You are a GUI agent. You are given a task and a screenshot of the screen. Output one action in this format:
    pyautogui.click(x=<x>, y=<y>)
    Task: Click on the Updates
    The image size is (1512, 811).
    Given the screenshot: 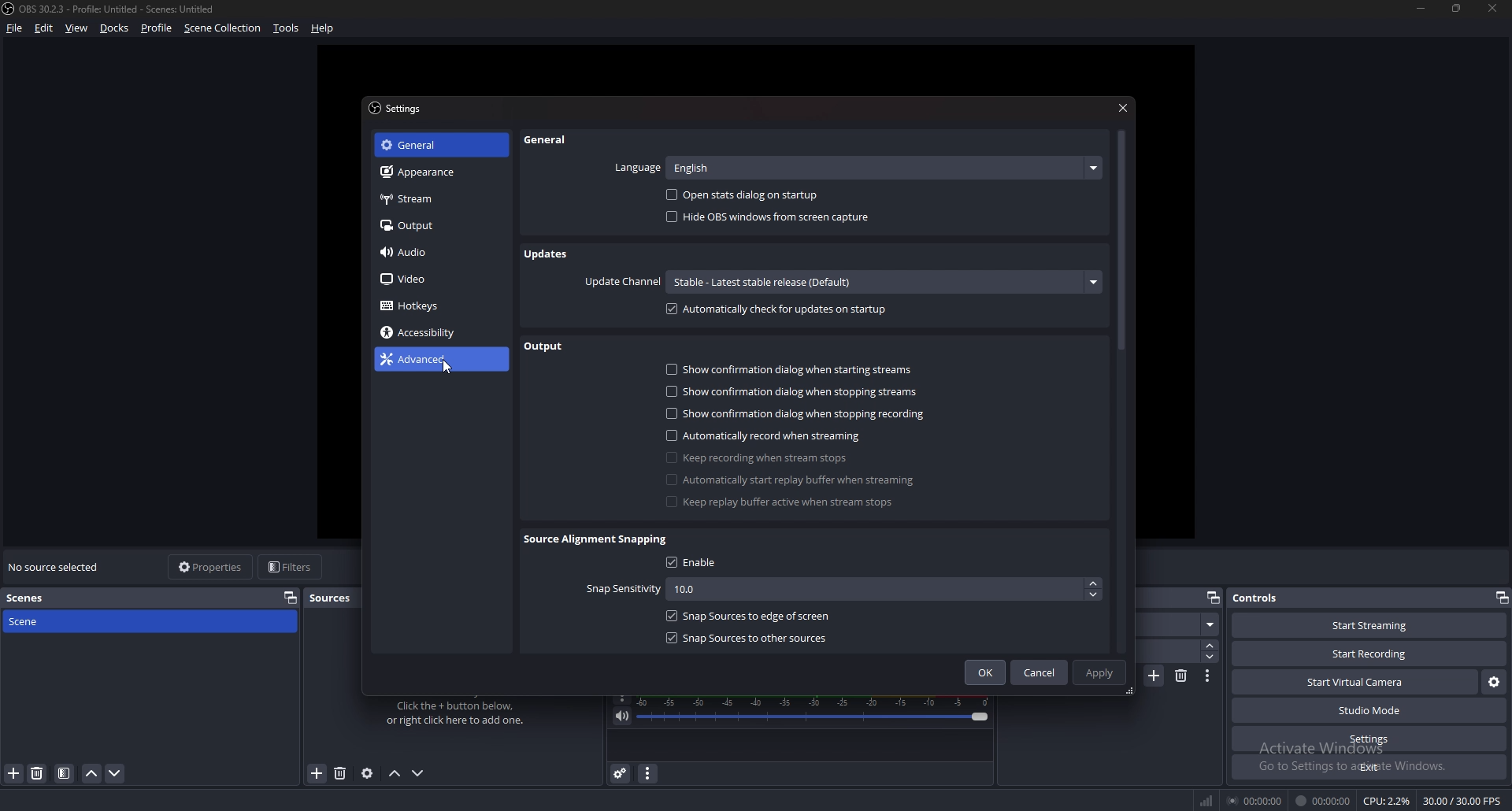 What is the action you would take?
    pyautogui.click(x=550, y=254)
    